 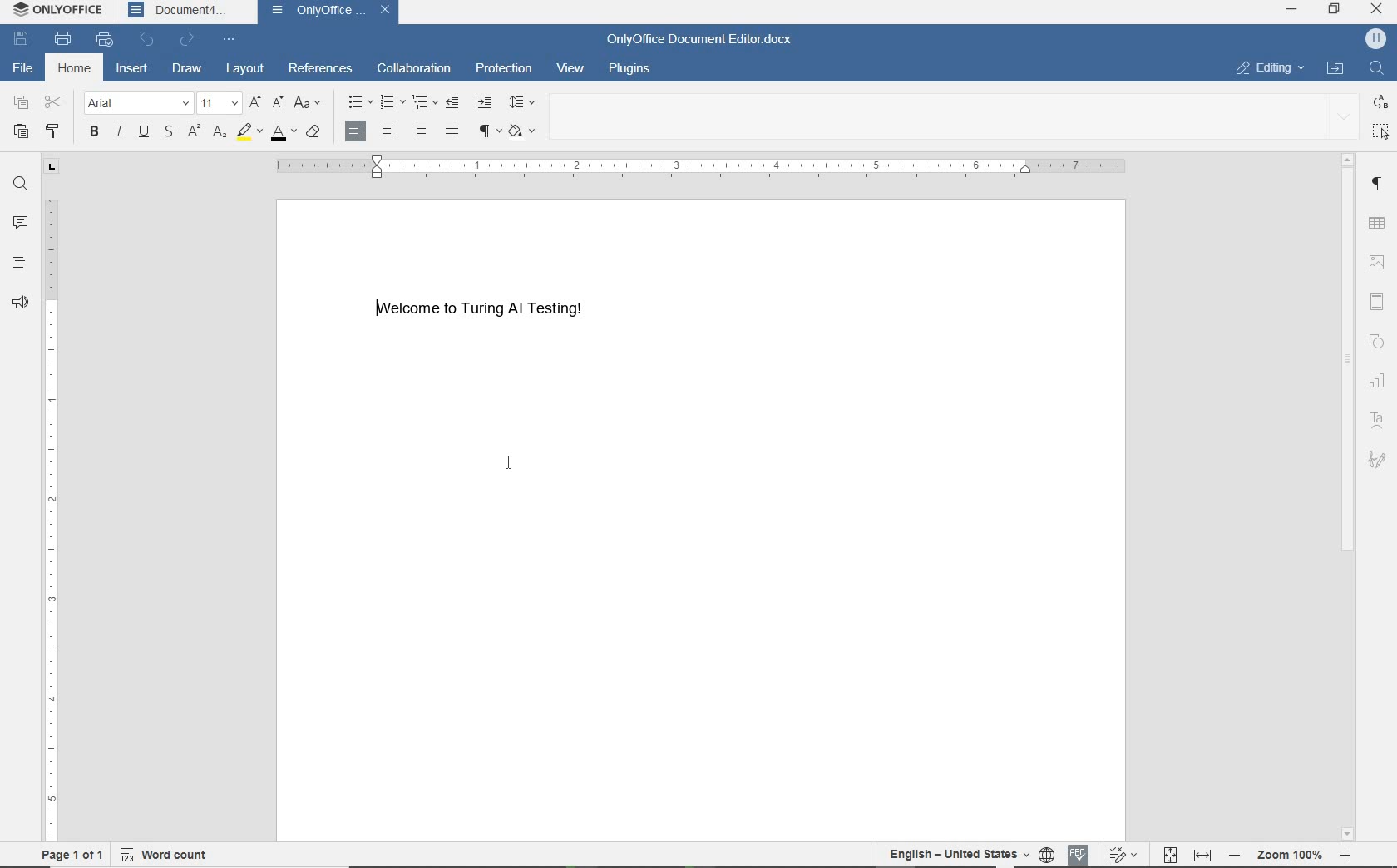 What do you see at coordinates (956, 856) in the screenshot?
I see `text language` at bounding box center [956, 856].